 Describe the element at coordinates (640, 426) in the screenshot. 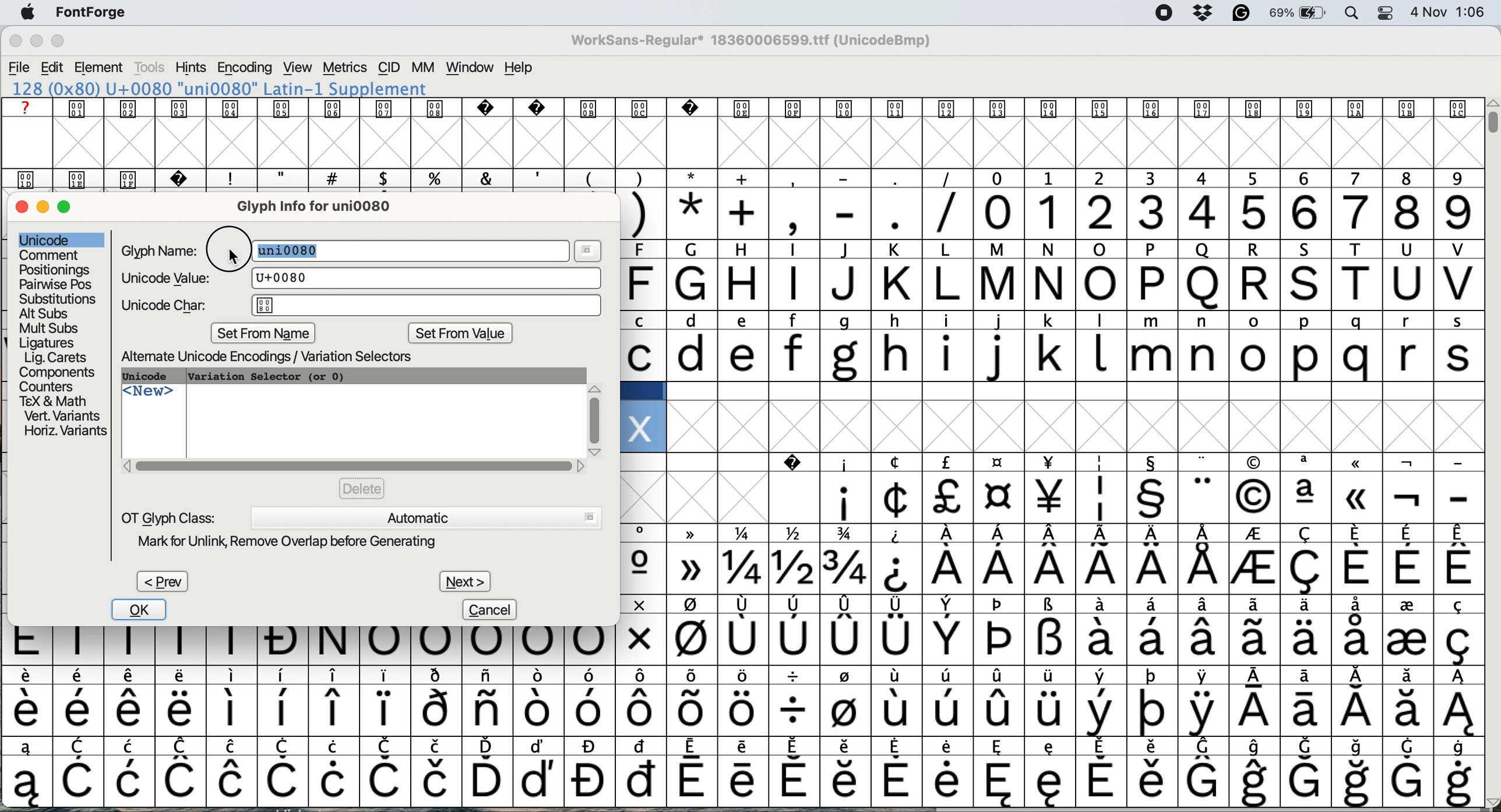

I see `glyph added` at that location.